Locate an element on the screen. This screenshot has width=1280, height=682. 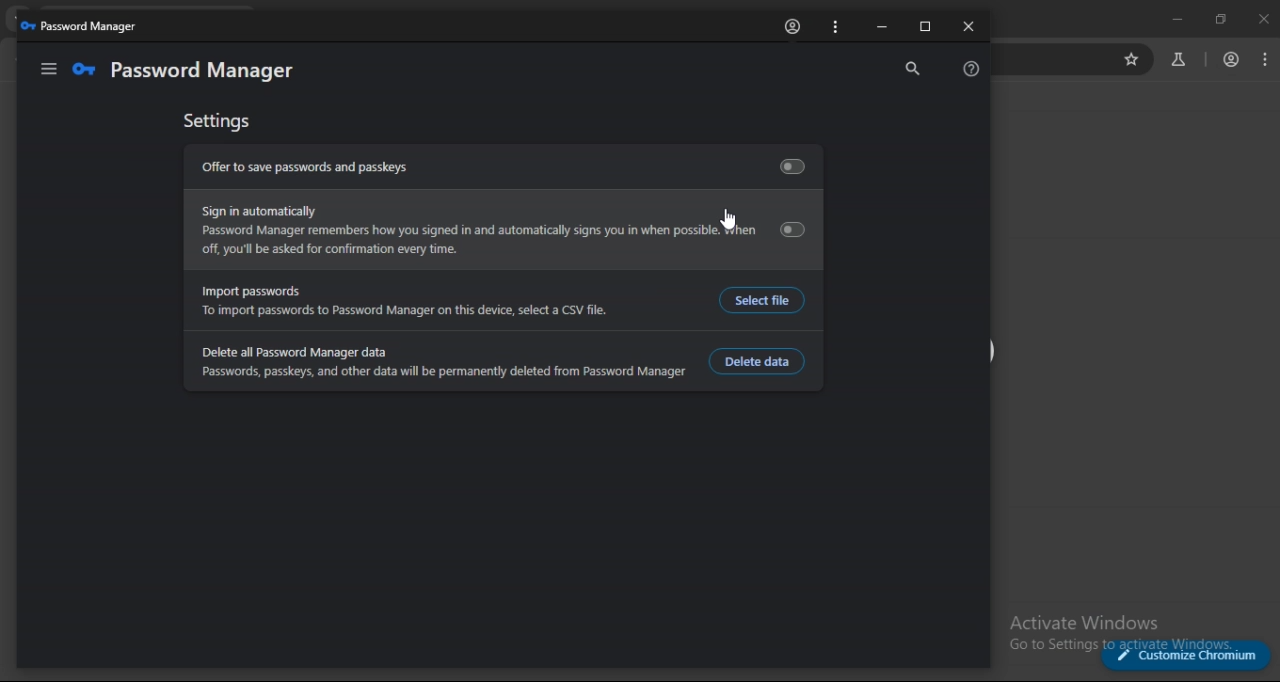
password manager is located at coordinates (188, 68).